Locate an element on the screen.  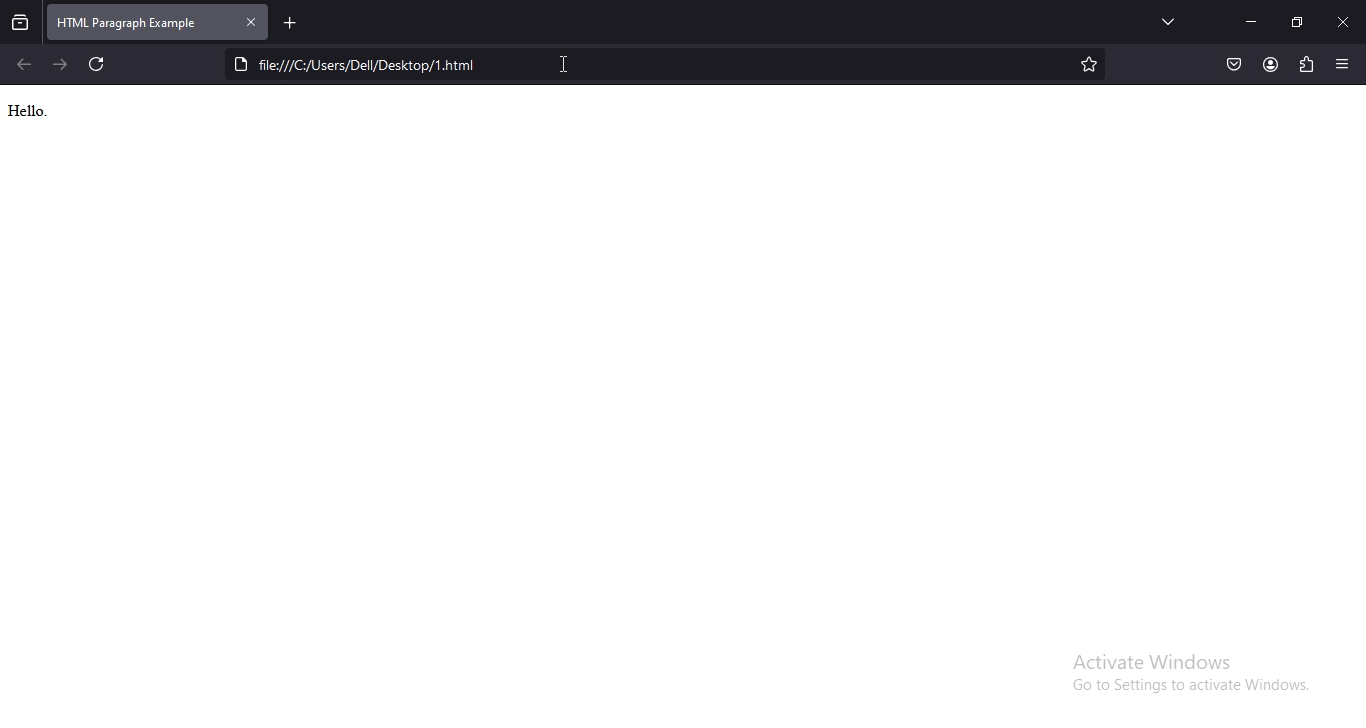
click to go to next page is located at coordinates (61, 66).